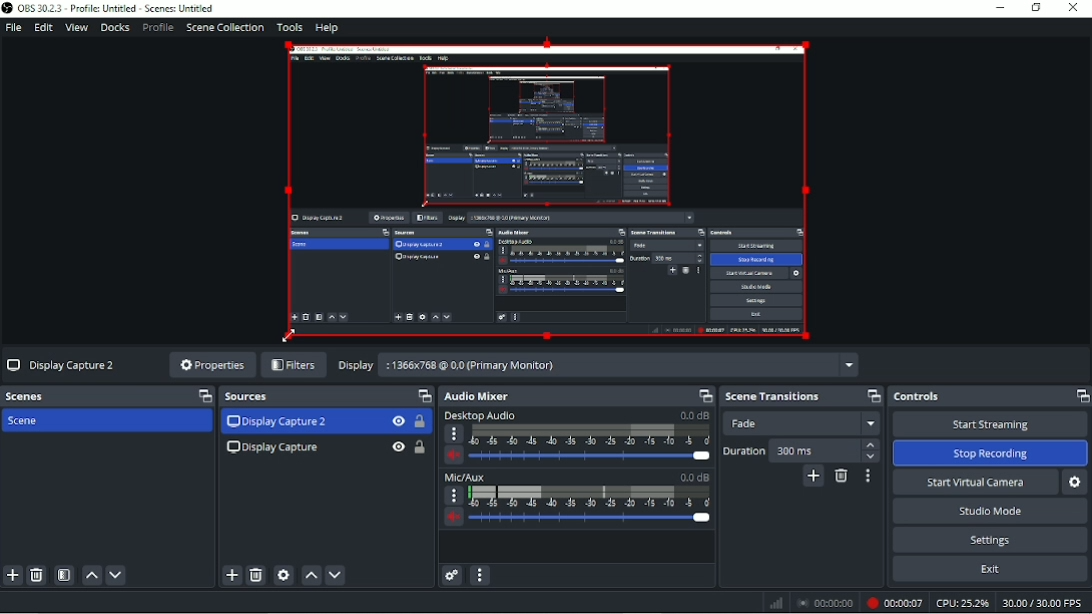 The height and width of the screenshot is (614, 1092). I want to click on 0.0 dB, so click(694, 415).